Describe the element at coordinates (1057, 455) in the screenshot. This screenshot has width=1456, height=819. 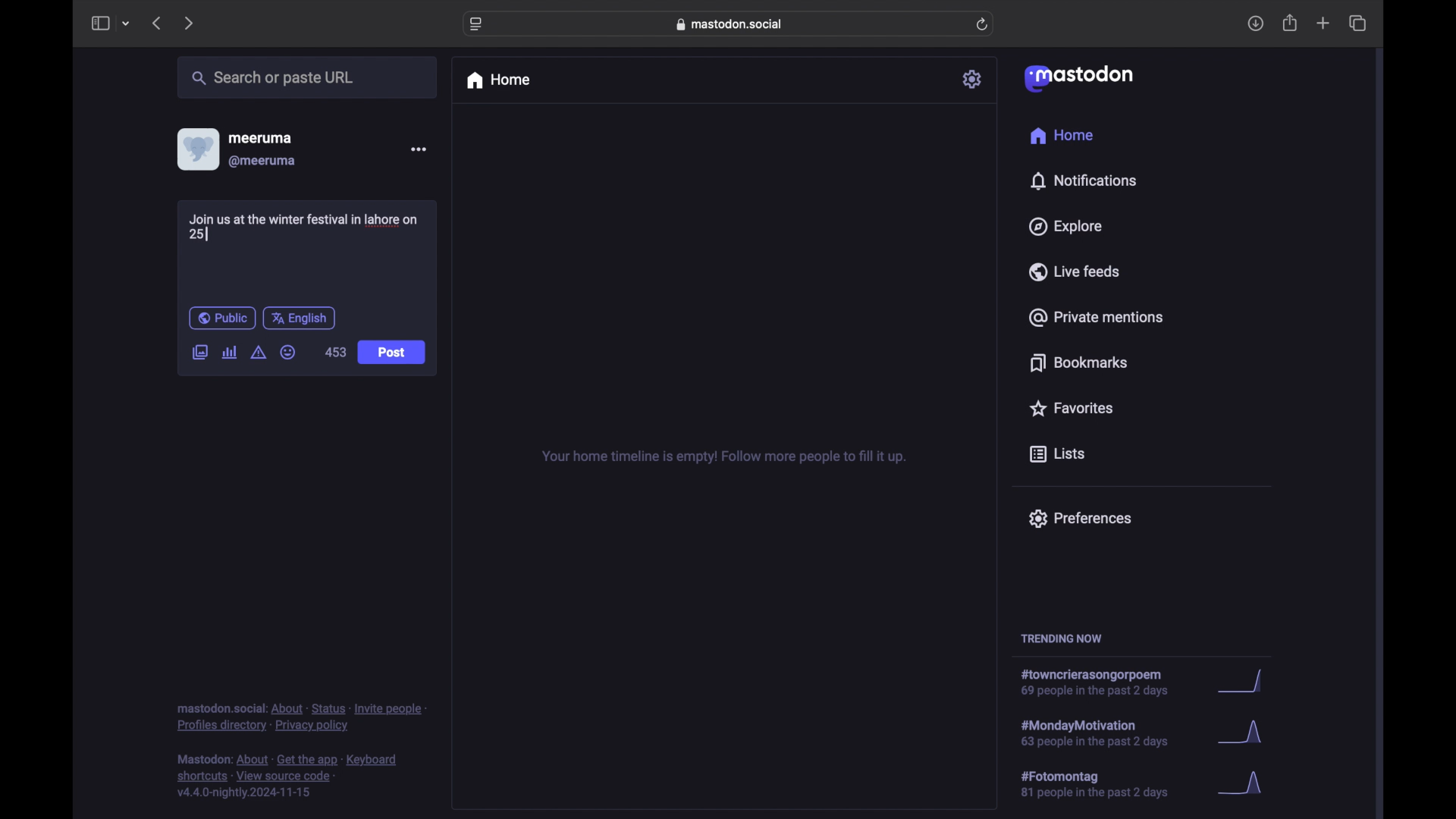
I see `lists` at that location.